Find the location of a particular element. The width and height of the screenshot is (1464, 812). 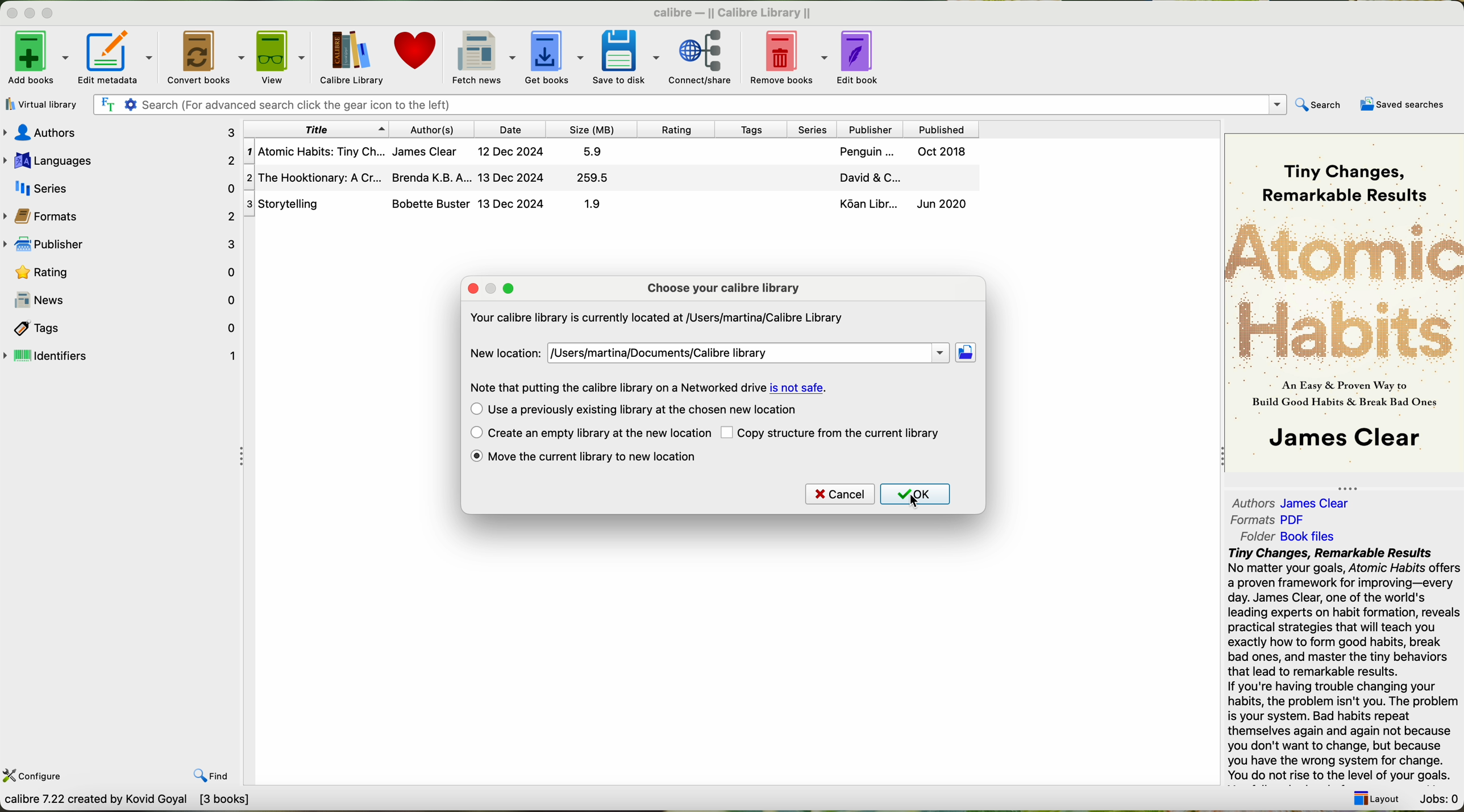

check box is located at coordinates (472, 433).